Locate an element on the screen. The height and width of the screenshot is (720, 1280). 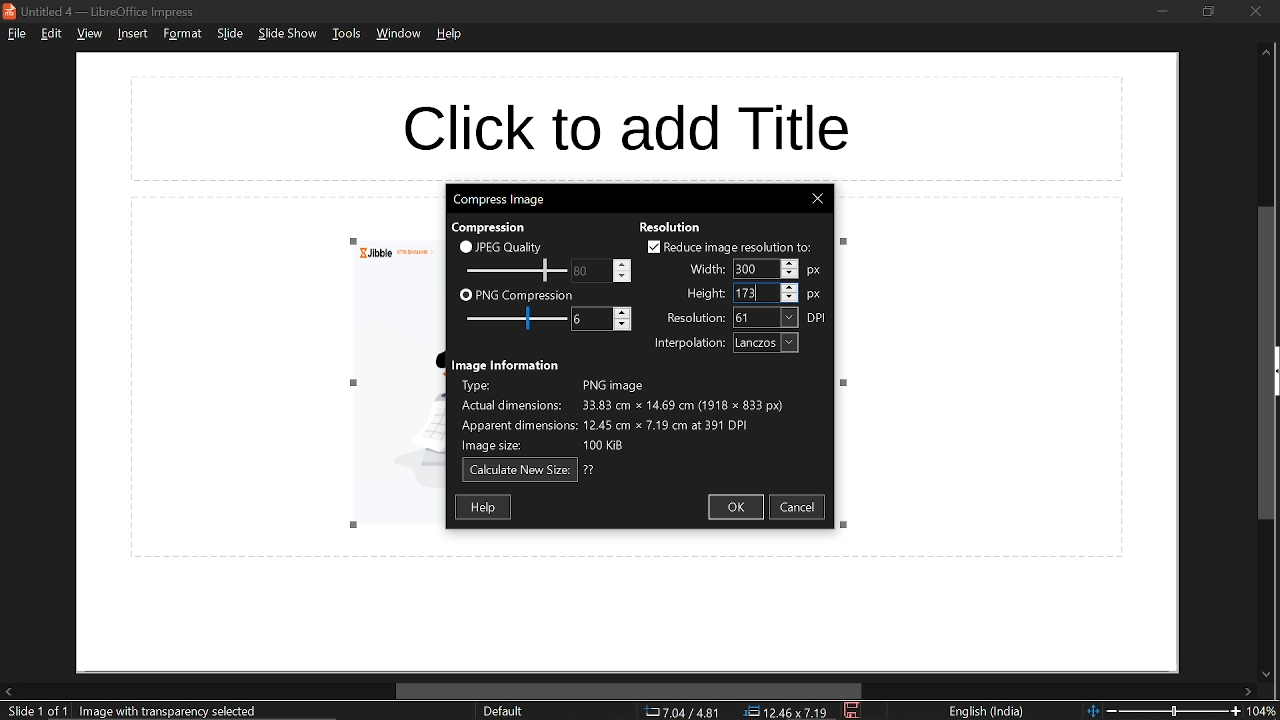
minimize is located at coordinates (1162, 11).